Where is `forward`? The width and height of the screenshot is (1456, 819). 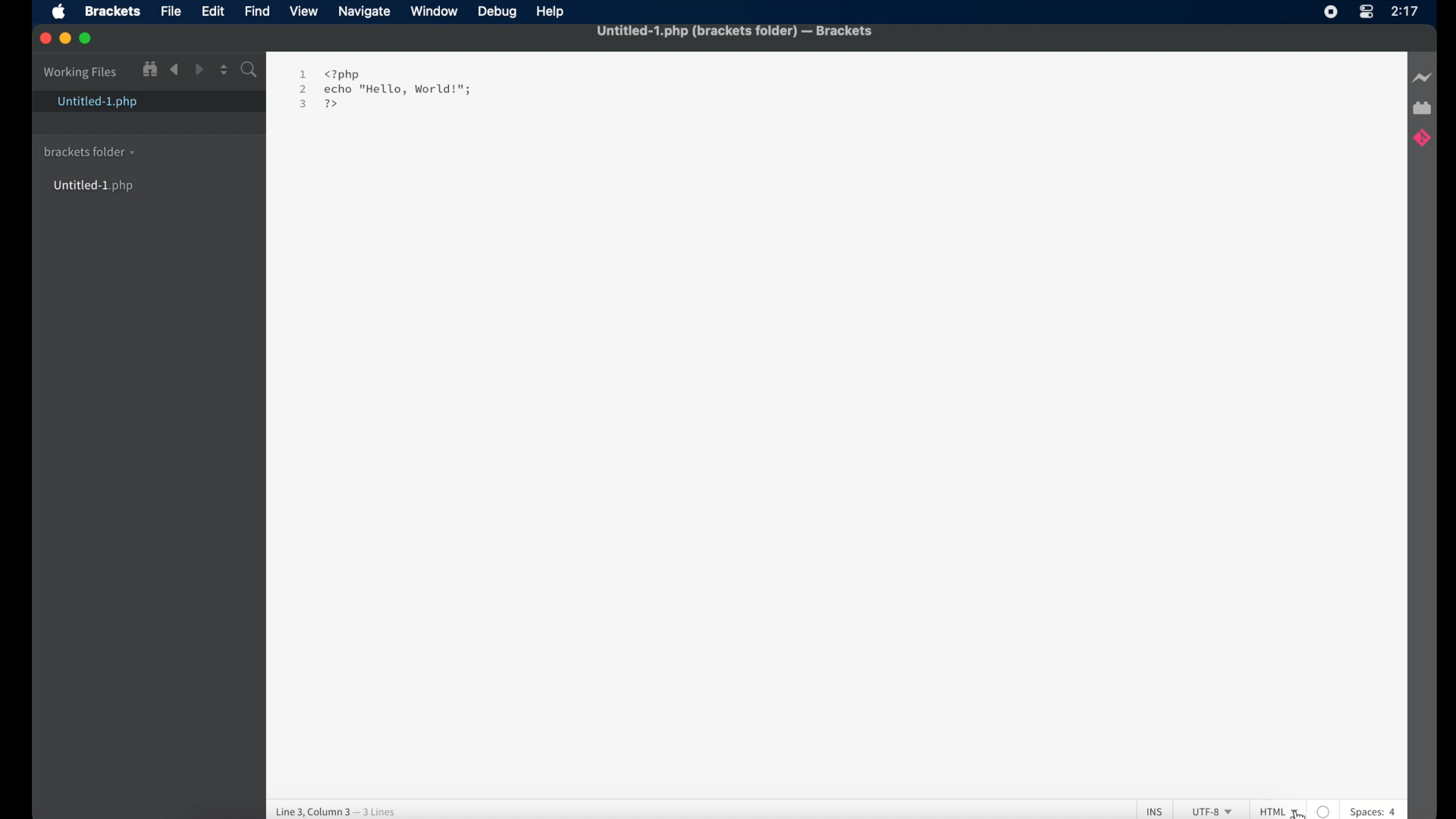
forward is located at coordinates (198, 69).